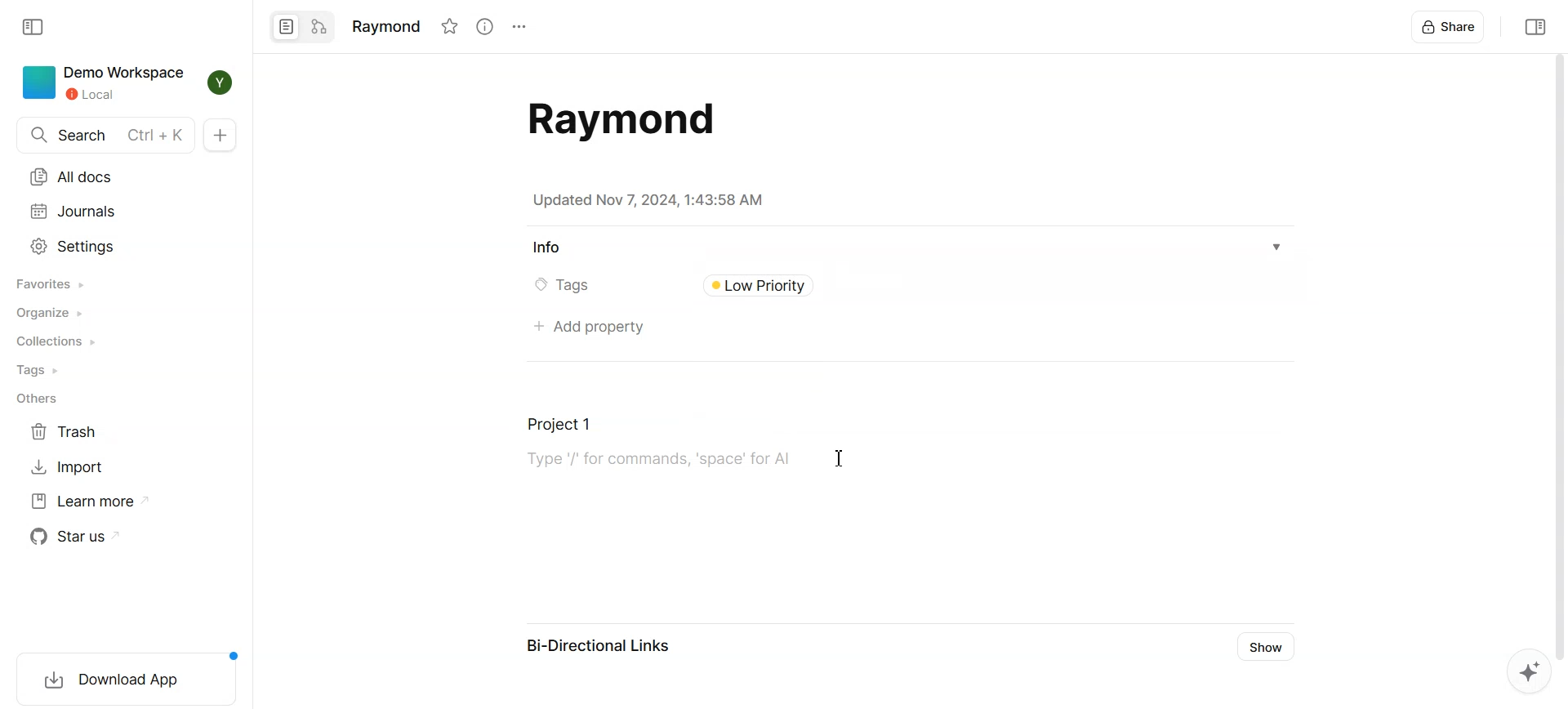 The image size is (1568, 709). Describe the element at coordinates (1533, 26) in the screenshot. I see `Collapse sidebar` at that location.